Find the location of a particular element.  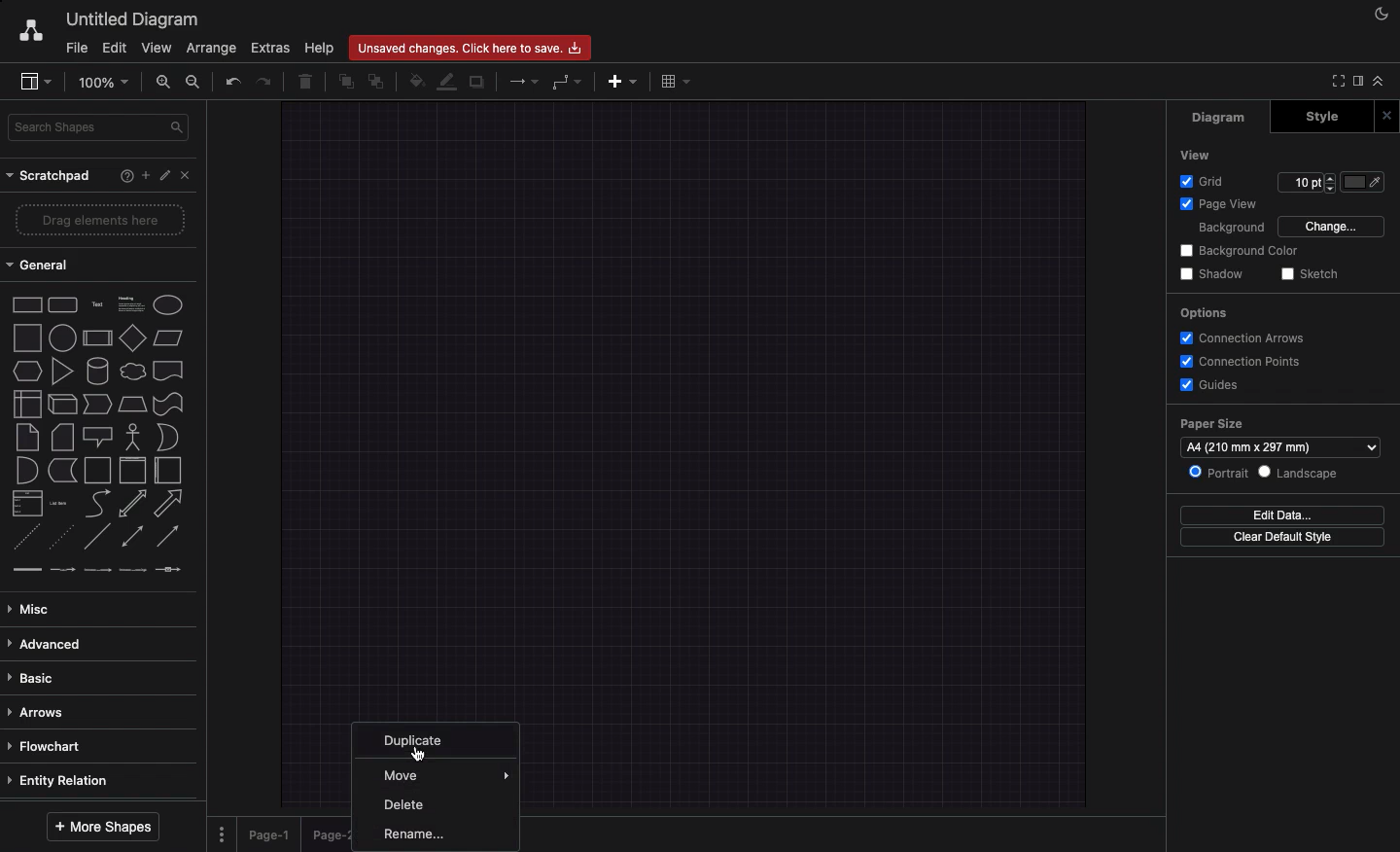

Entity relation is located at coordinates (60, 783).